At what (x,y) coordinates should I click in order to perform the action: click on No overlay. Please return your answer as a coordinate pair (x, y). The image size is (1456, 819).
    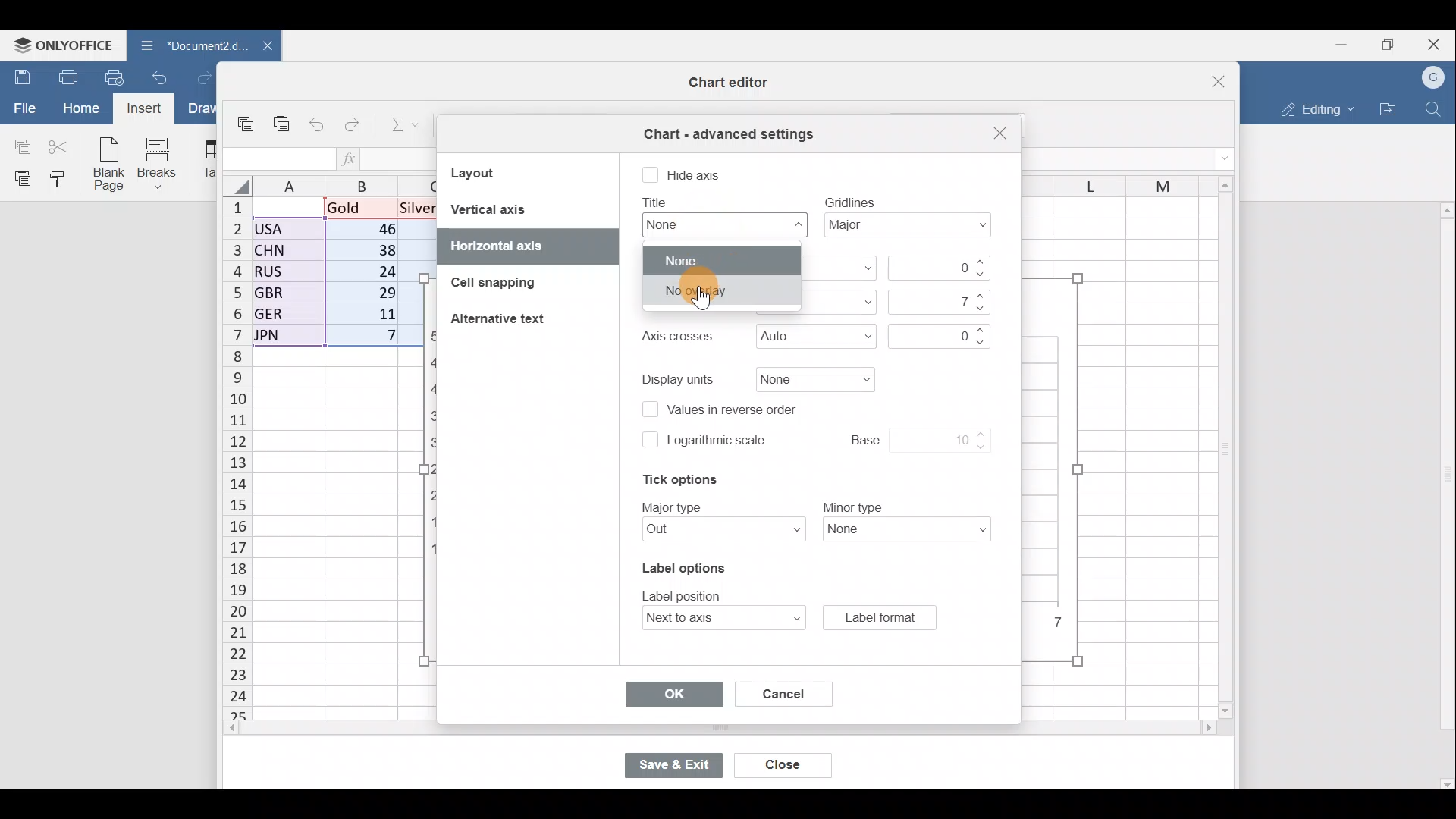
    Looking at the image, I should click on (722, 290).